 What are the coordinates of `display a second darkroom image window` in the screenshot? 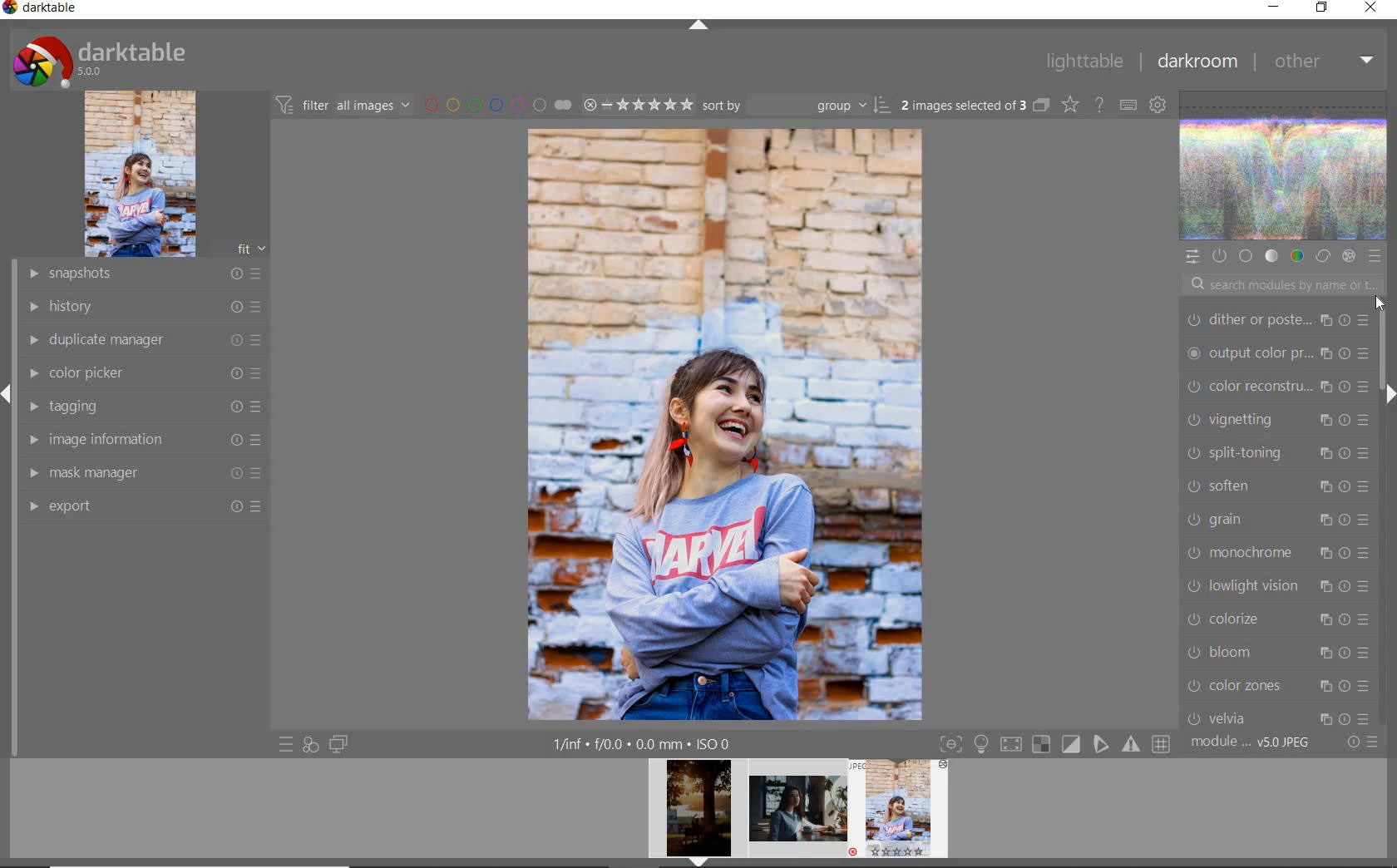 It's located at (339, 744).